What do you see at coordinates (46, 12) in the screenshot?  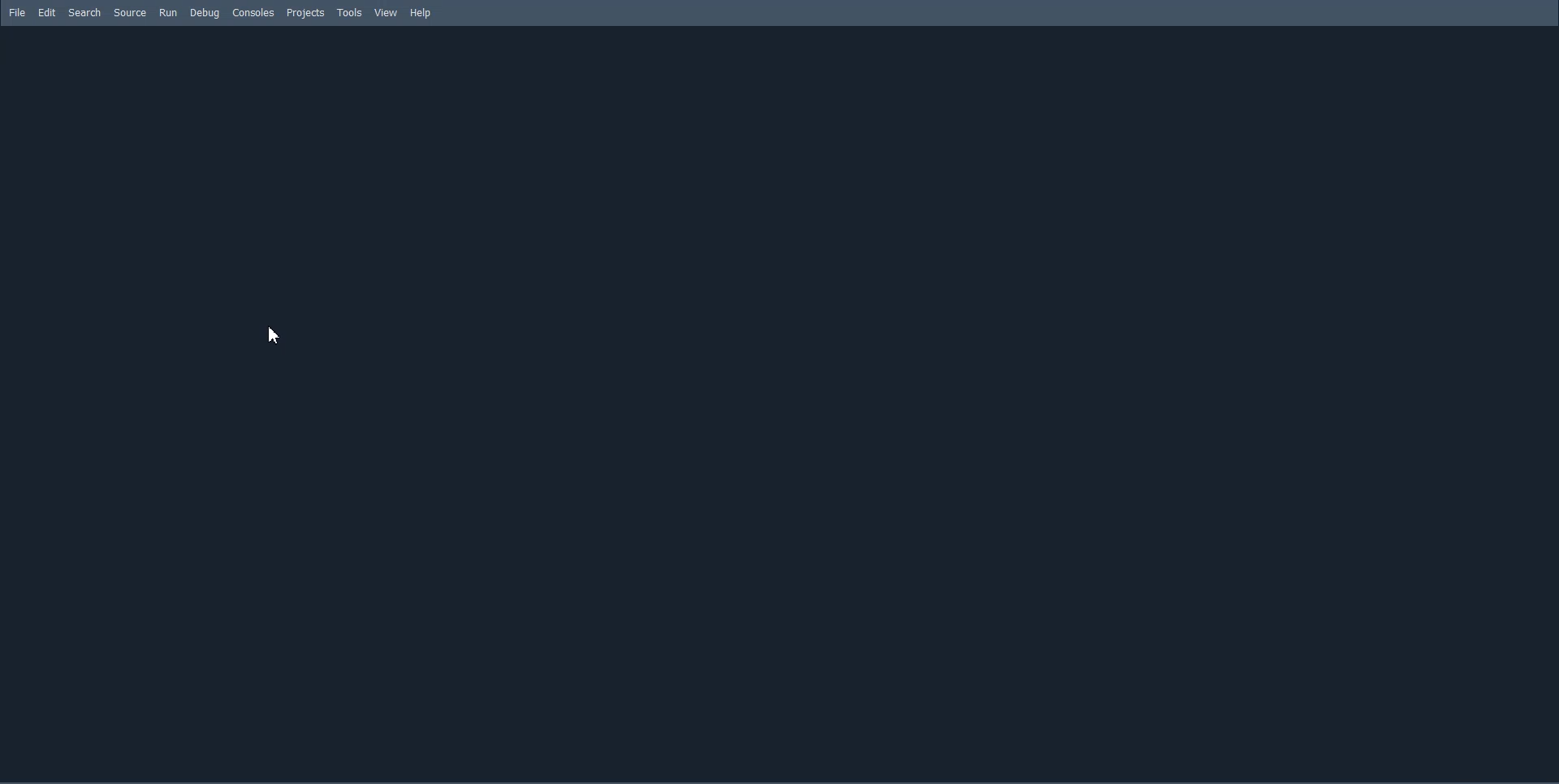 I see `Edit` at bounding box center [46, 12].